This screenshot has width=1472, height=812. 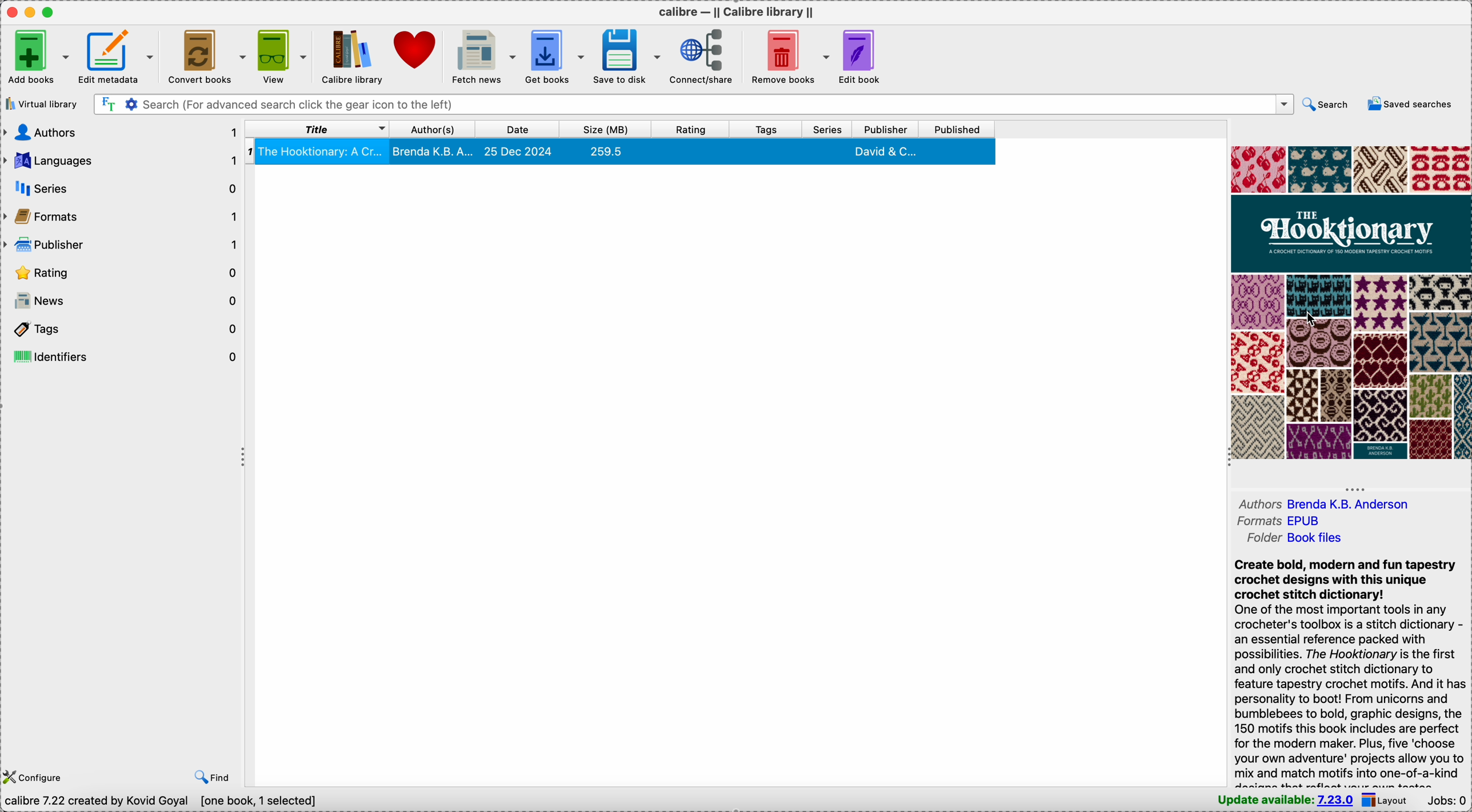 What do you see at coordinates (51, 12) in the screenshot?
I see `maximize` at bounding box center [51, 12].